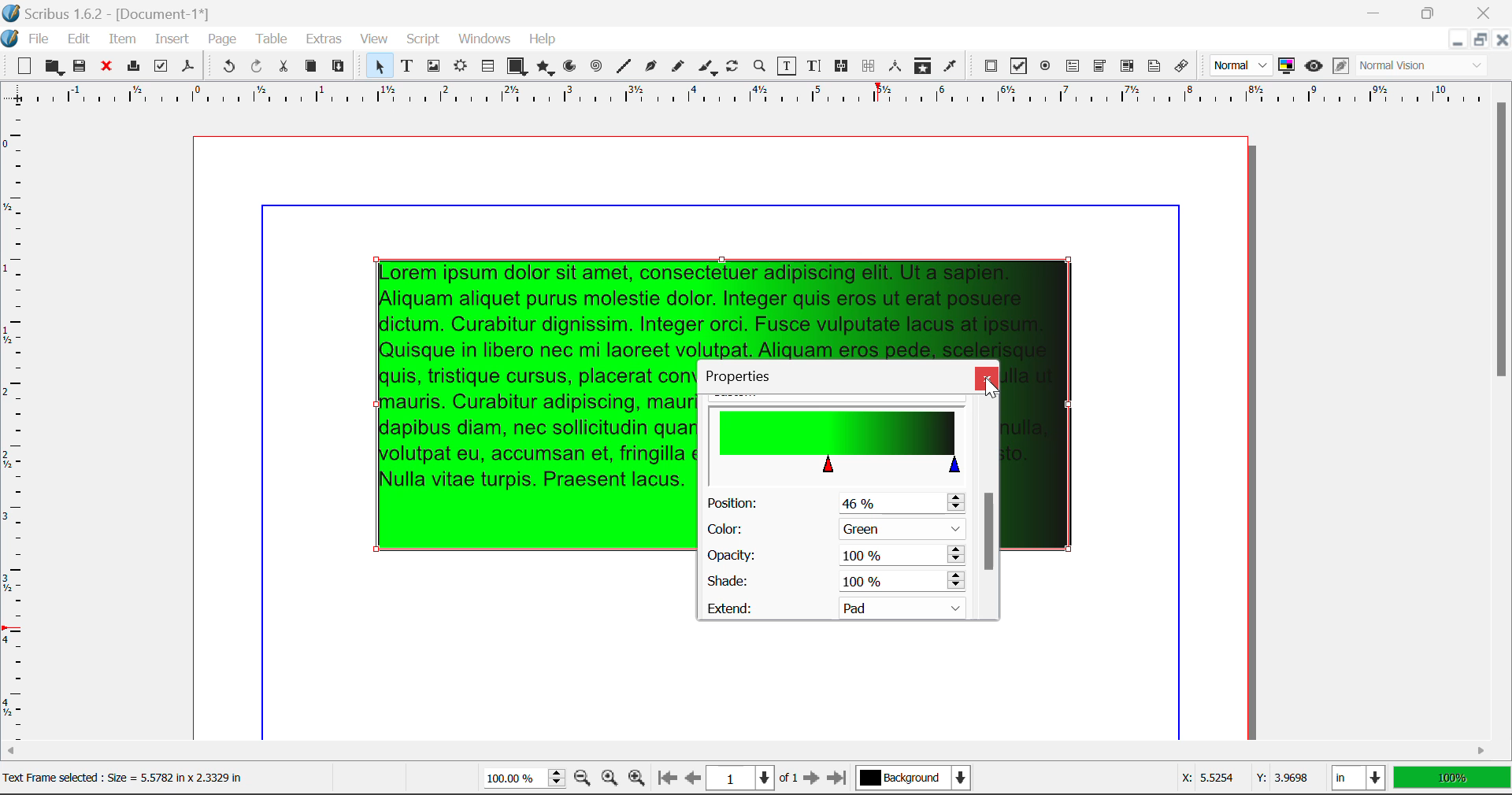 The width and height of the screenshot is (1512, 795). I want to click on Toggle Color Management, so click(1287, 66).